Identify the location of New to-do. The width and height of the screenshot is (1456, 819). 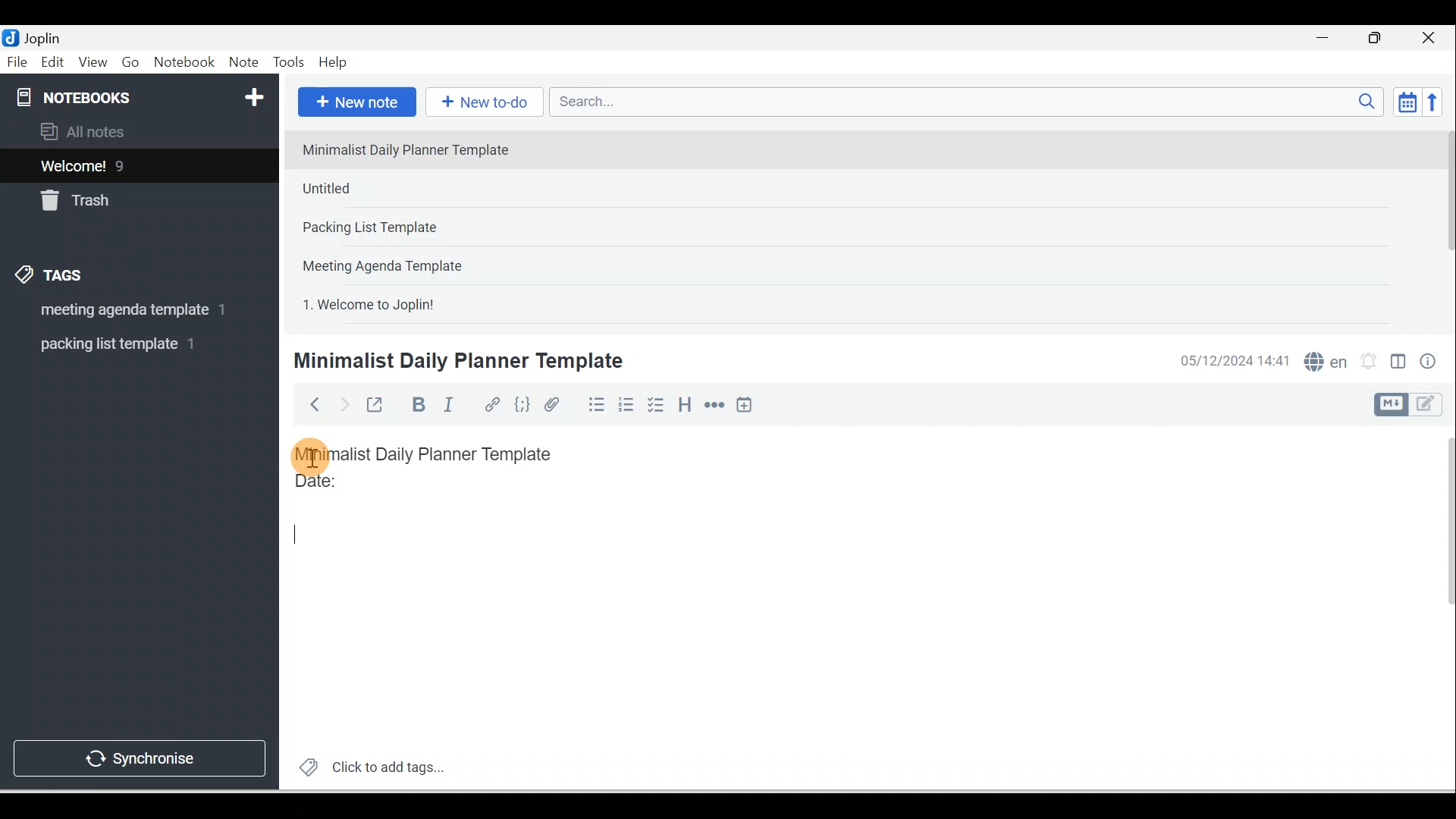
(481, 103).